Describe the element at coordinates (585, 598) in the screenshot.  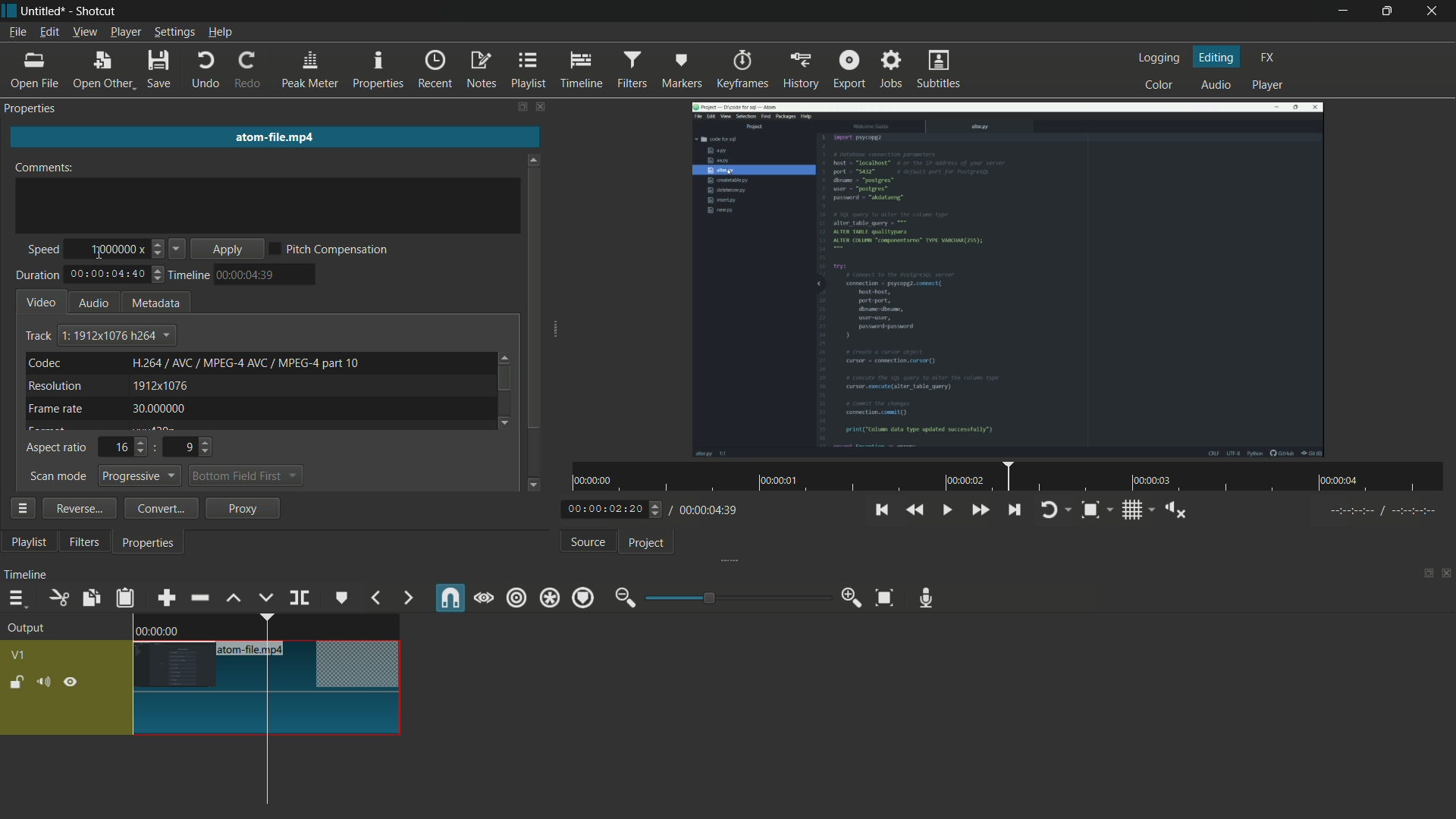
I see `ripple markers` at that location.